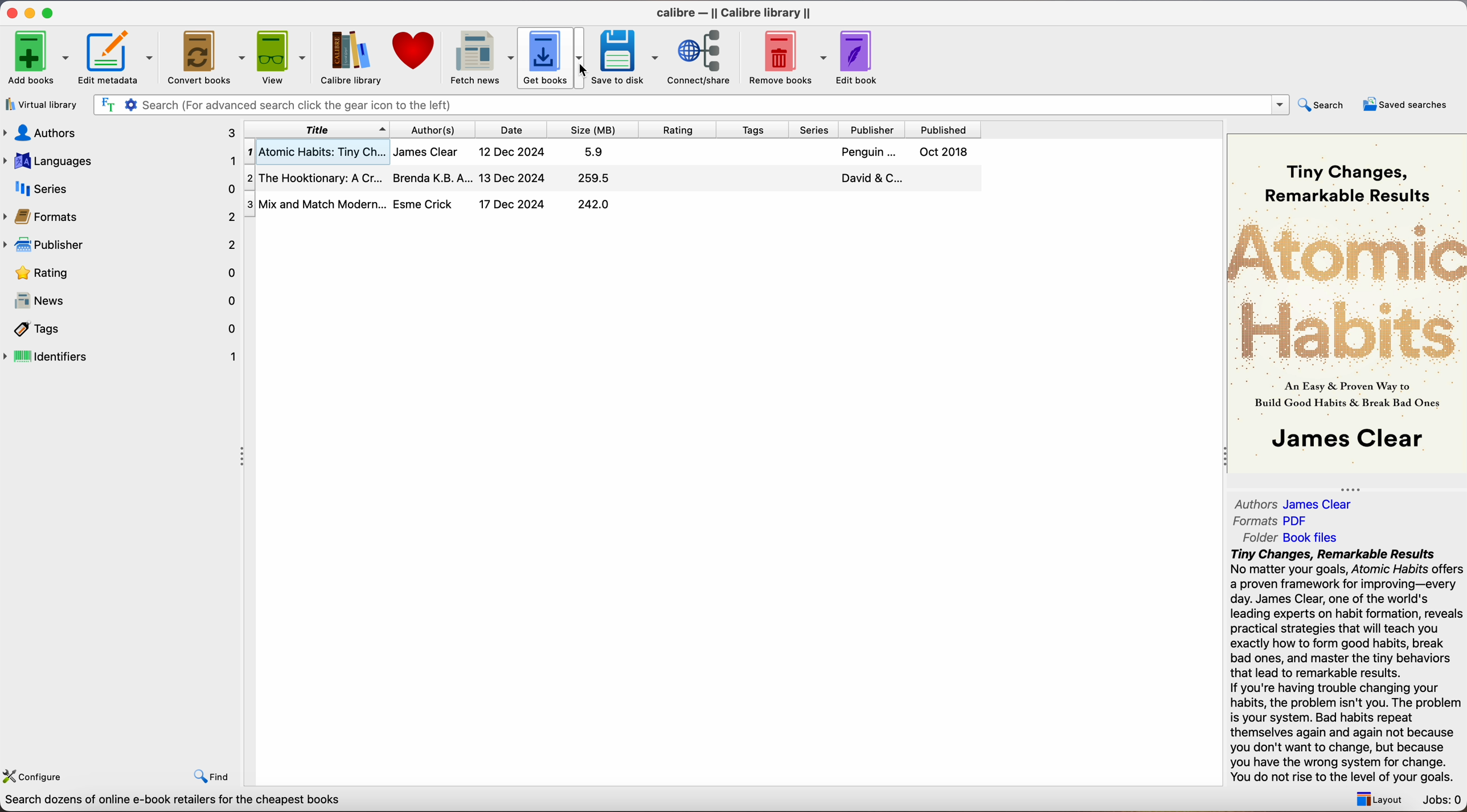 Image resolution: width=1467 pixels, height=812 pixels. I want to click on search bar, so click(690, 105).